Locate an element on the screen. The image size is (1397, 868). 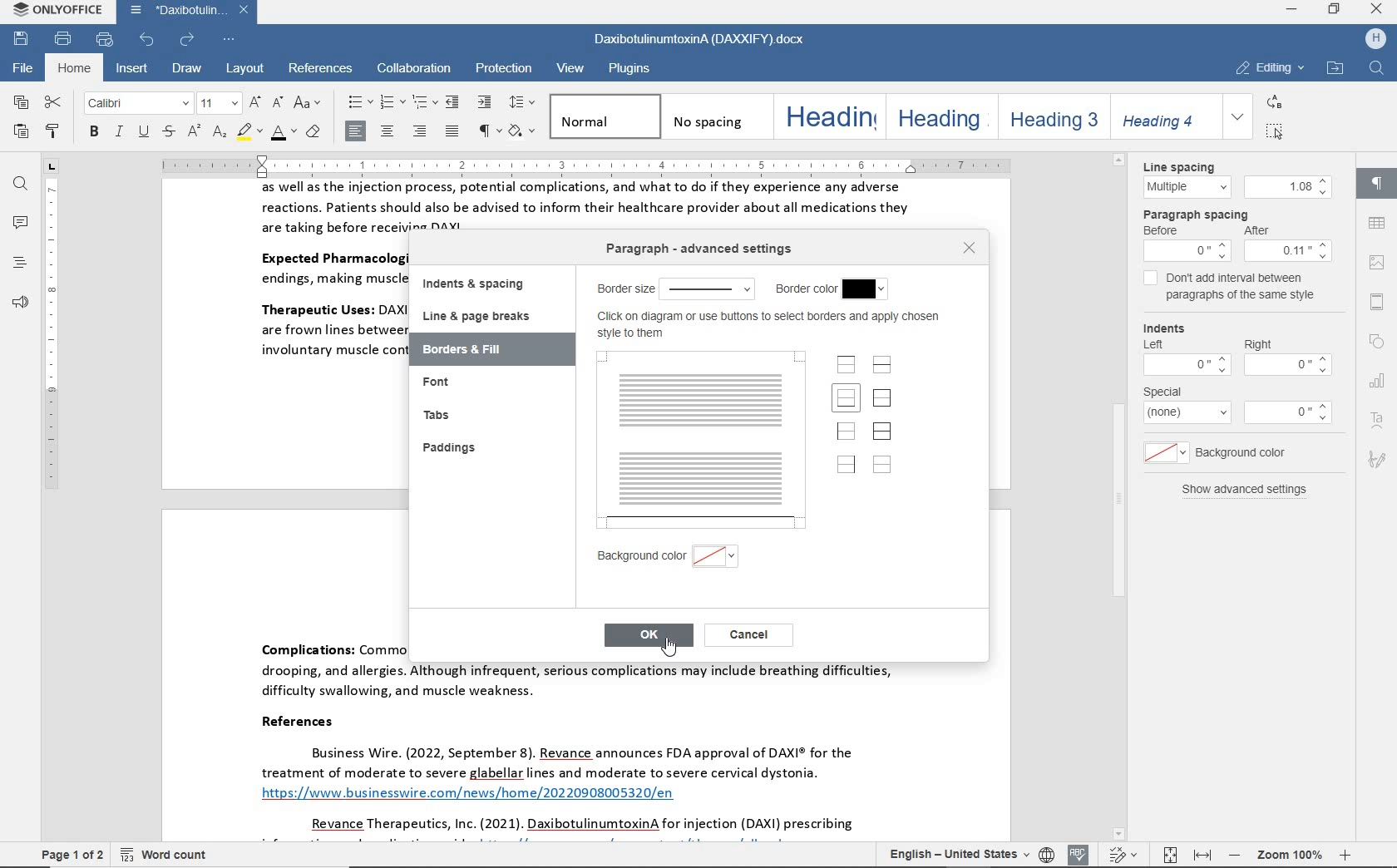
chart is located at coordinates (1378, 379).